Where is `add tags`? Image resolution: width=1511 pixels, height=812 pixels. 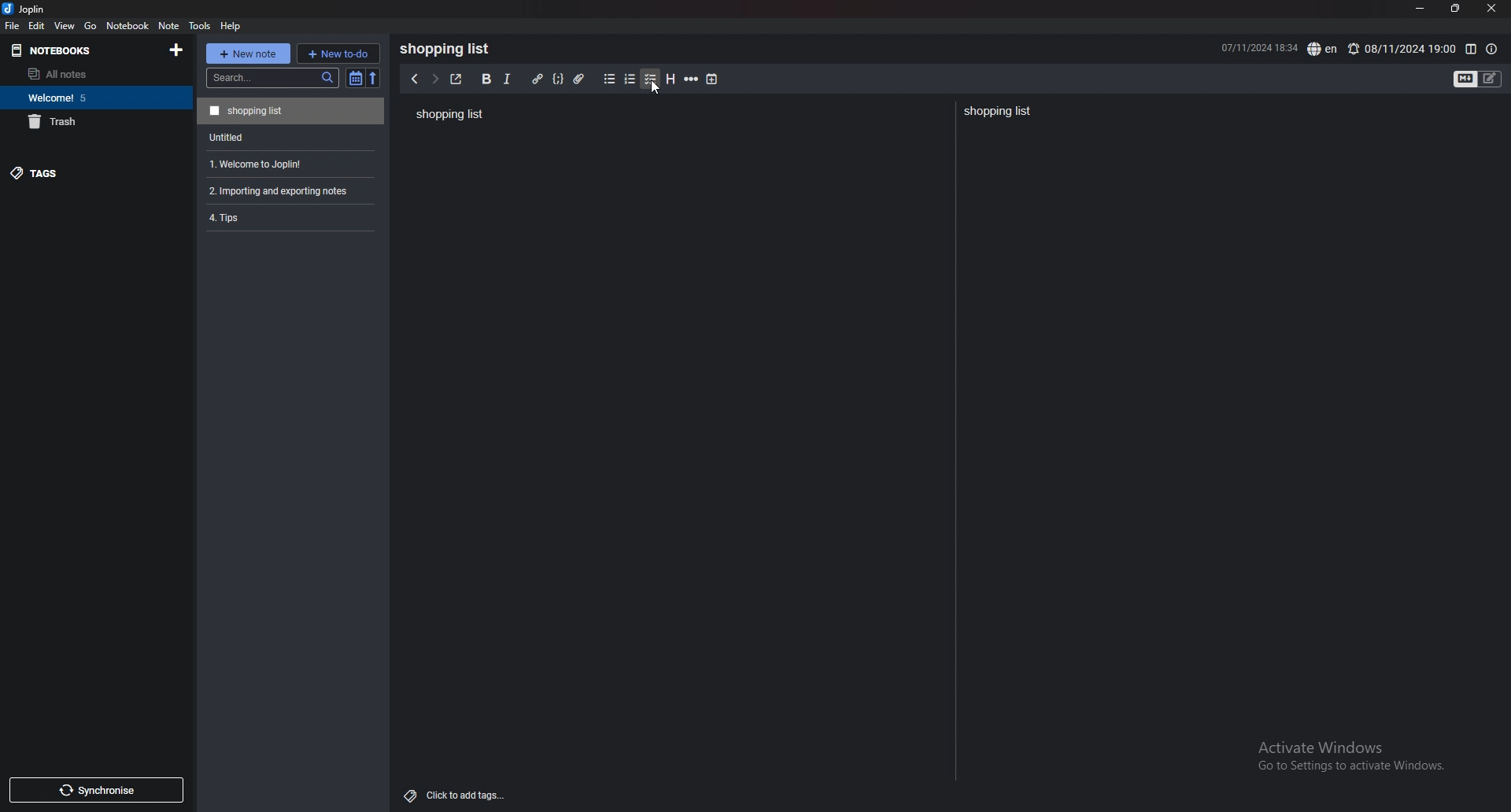
add tags is located at coordinates (456, 796).